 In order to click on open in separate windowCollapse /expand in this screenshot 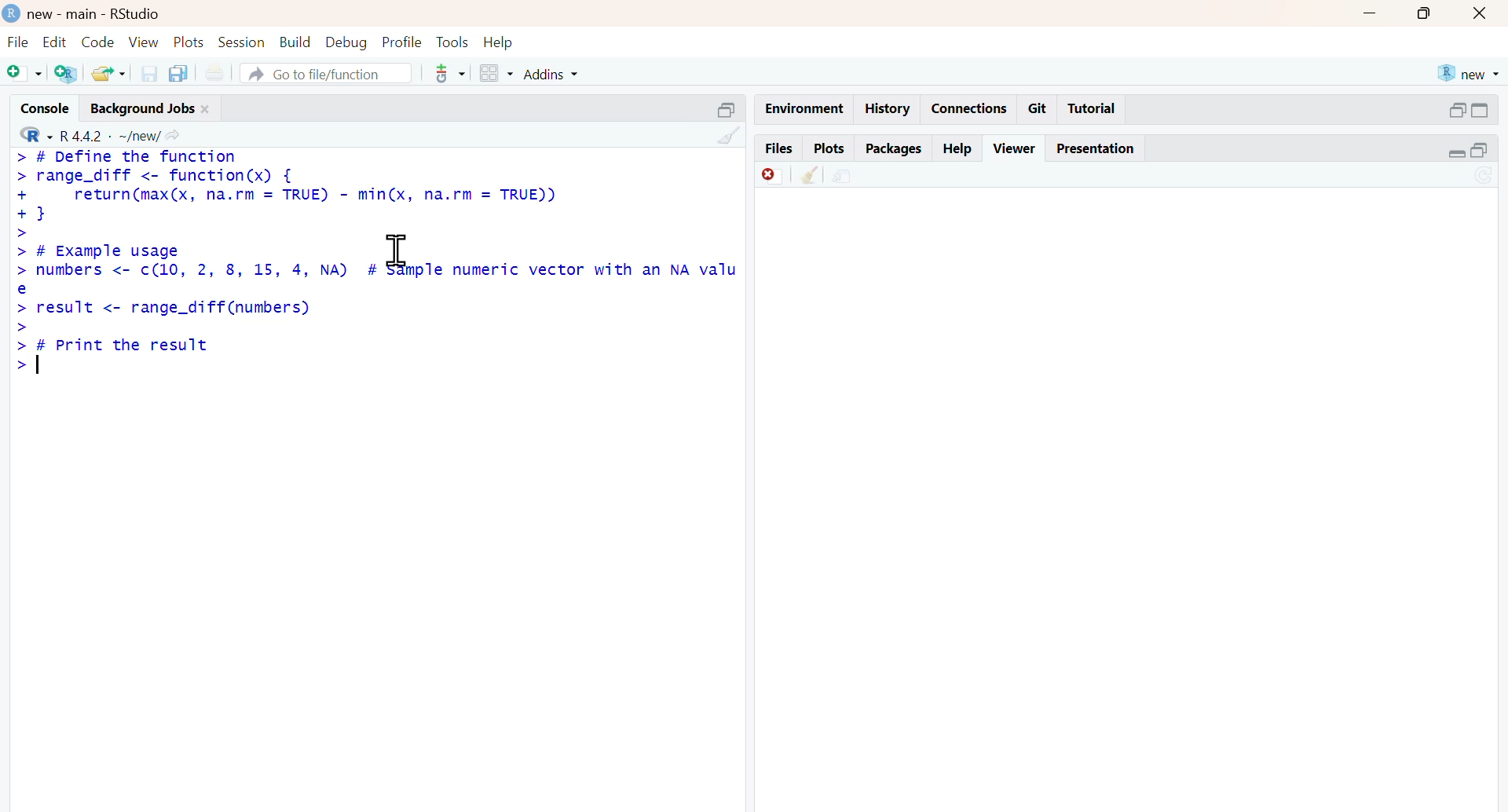, I will do `click(1479, 110)`.